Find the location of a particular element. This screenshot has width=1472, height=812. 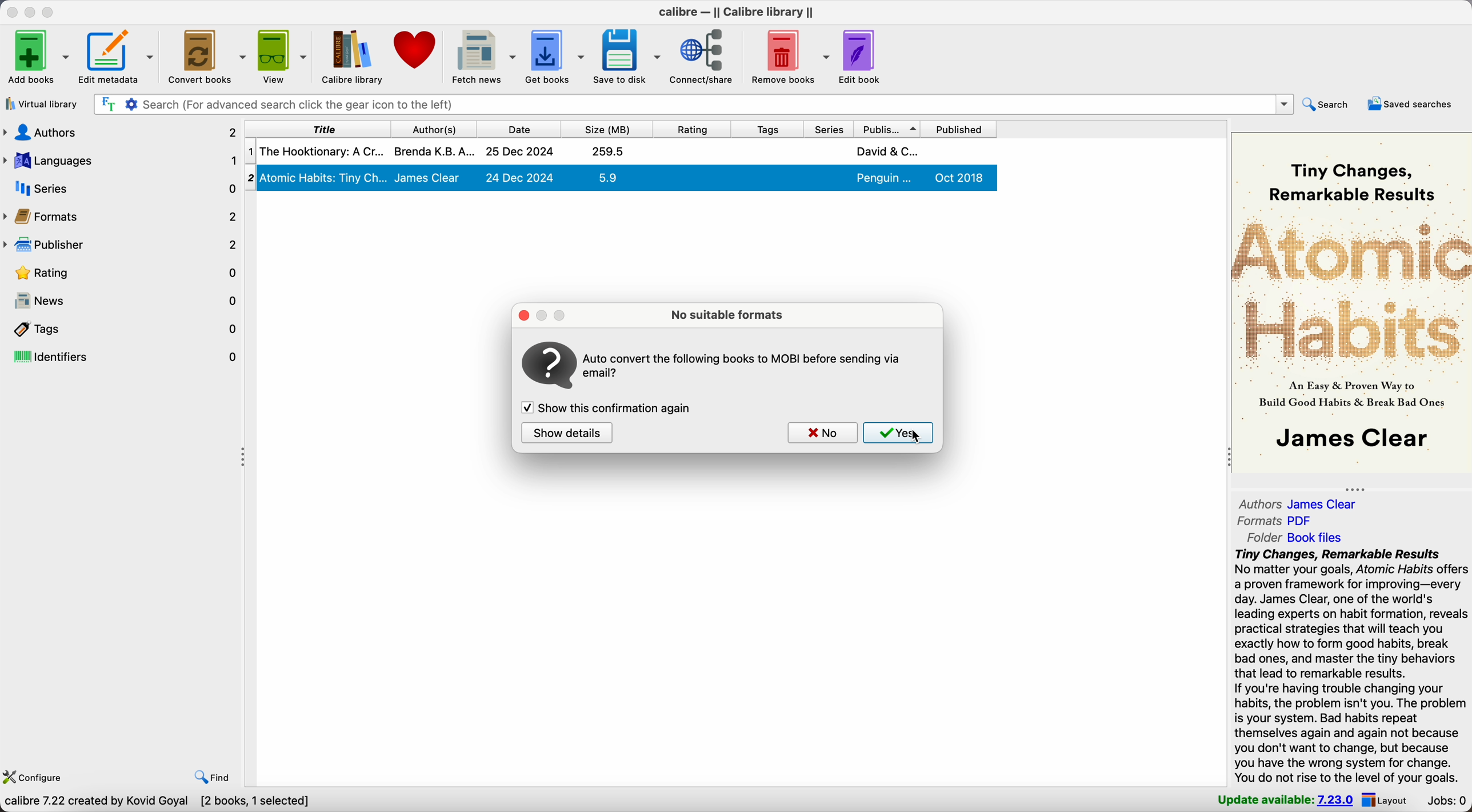

25 Dec 2024 is located at coordinates (520, 152).